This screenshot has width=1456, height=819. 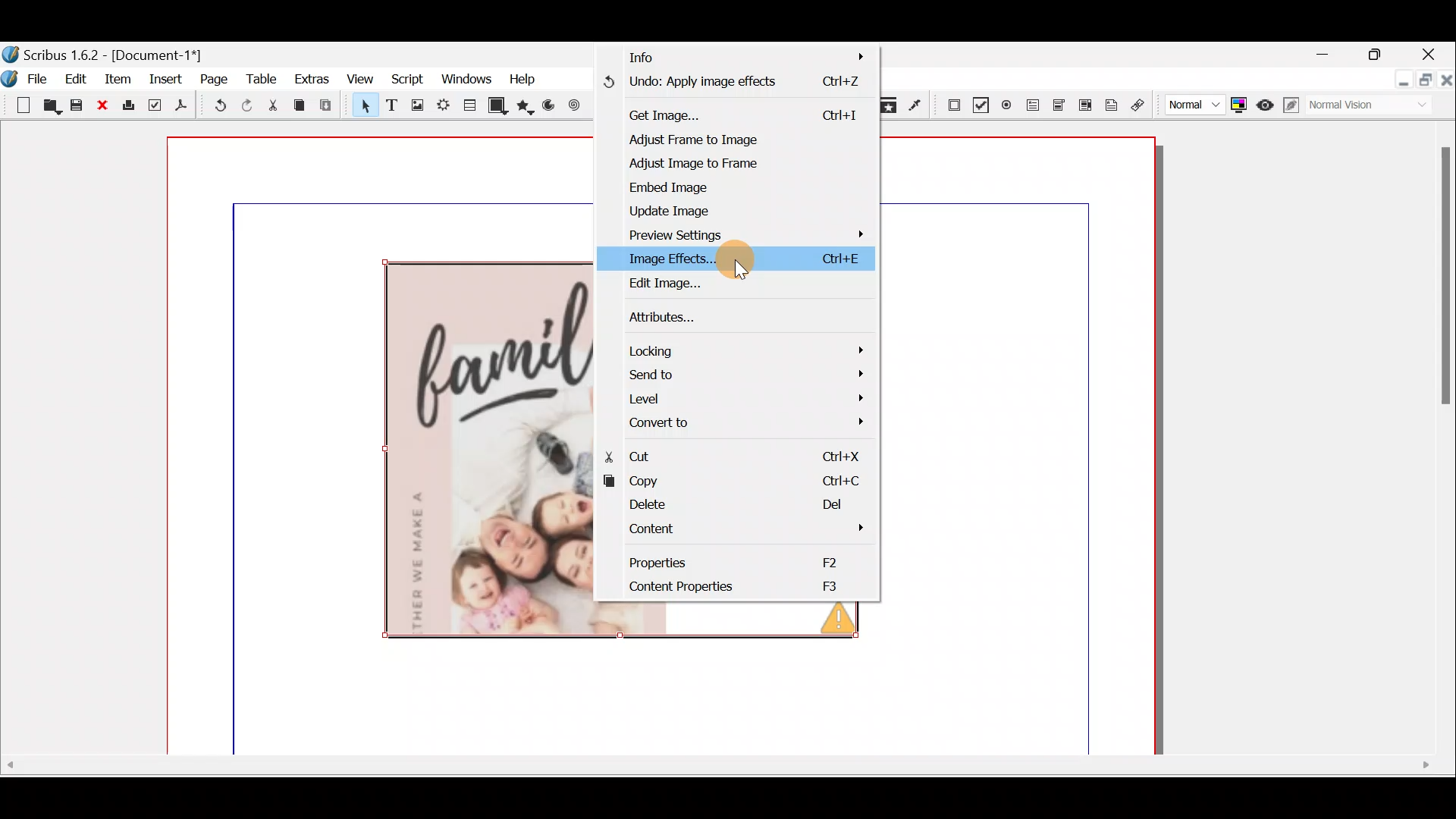 What do you see at coordinates (742, 271) in the screenshot?
I see `cursor` at bounding box center [742, 271].